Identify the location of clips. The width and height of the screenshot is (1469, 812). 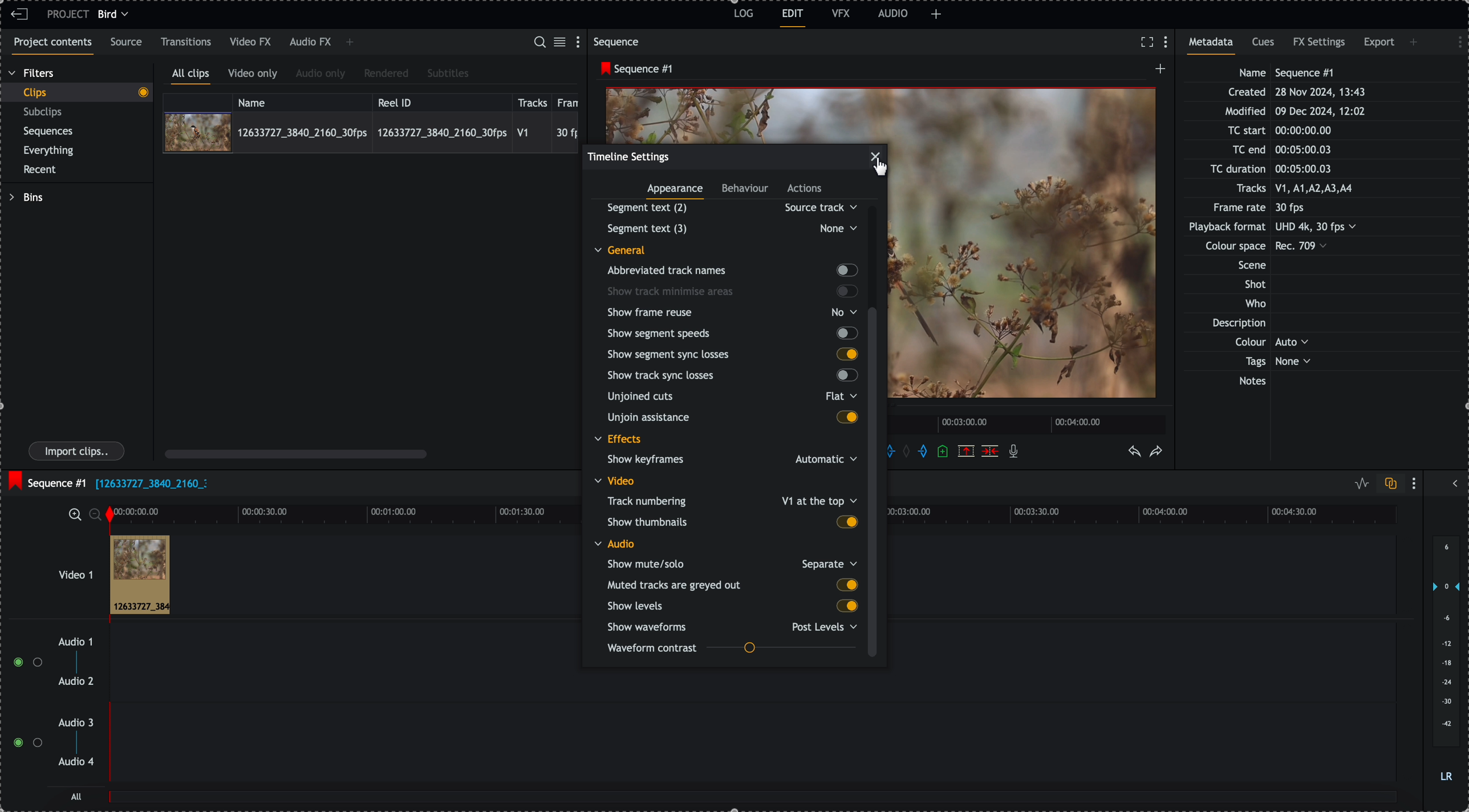
(76, 93).